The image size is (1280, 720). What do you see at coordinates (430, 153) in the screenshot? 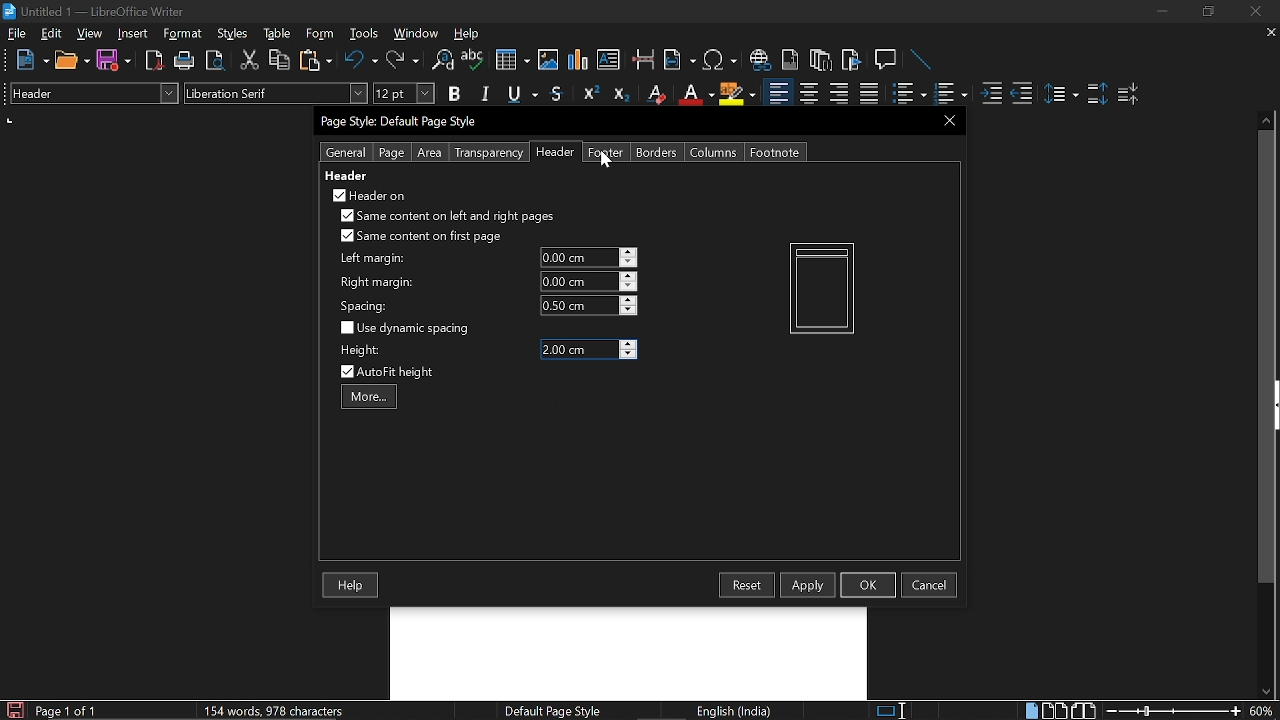
I see `Area` at bounding box center [430, 153].